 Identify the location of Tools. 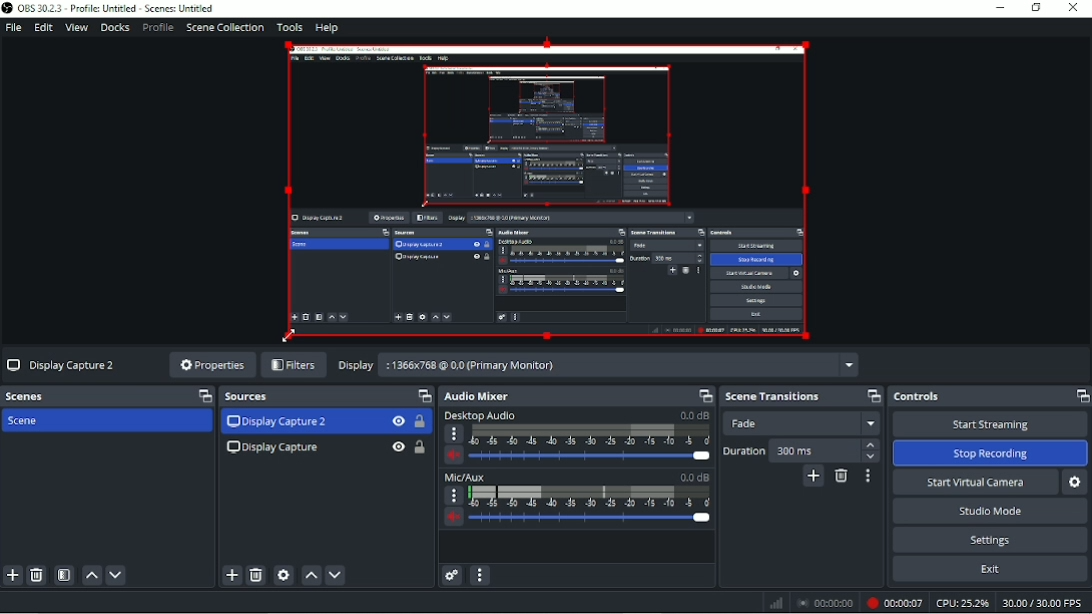
(289, 27).